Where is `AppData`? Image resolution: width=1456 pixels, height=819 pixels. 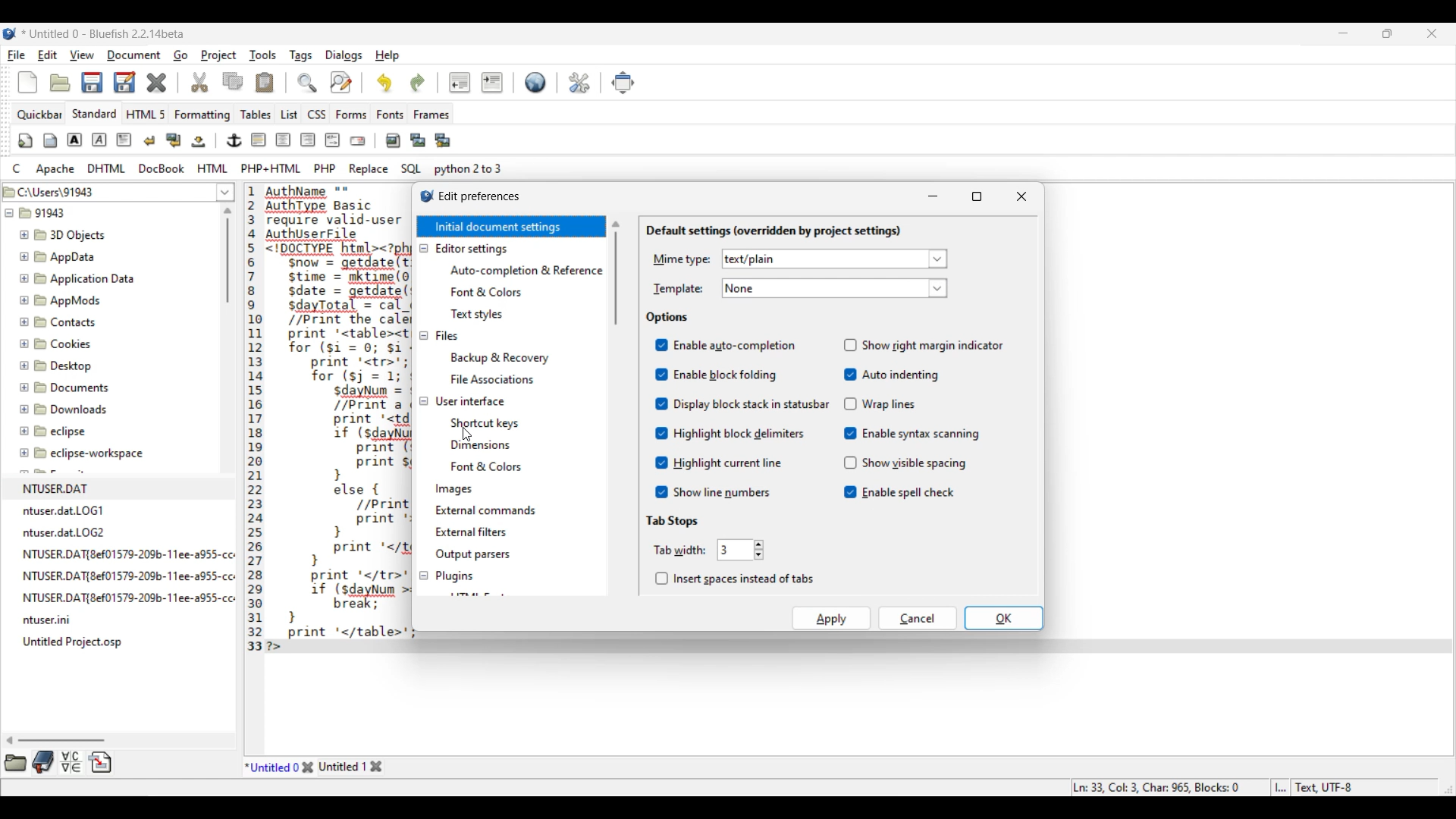 AppData is located at coordinates (60, 256).